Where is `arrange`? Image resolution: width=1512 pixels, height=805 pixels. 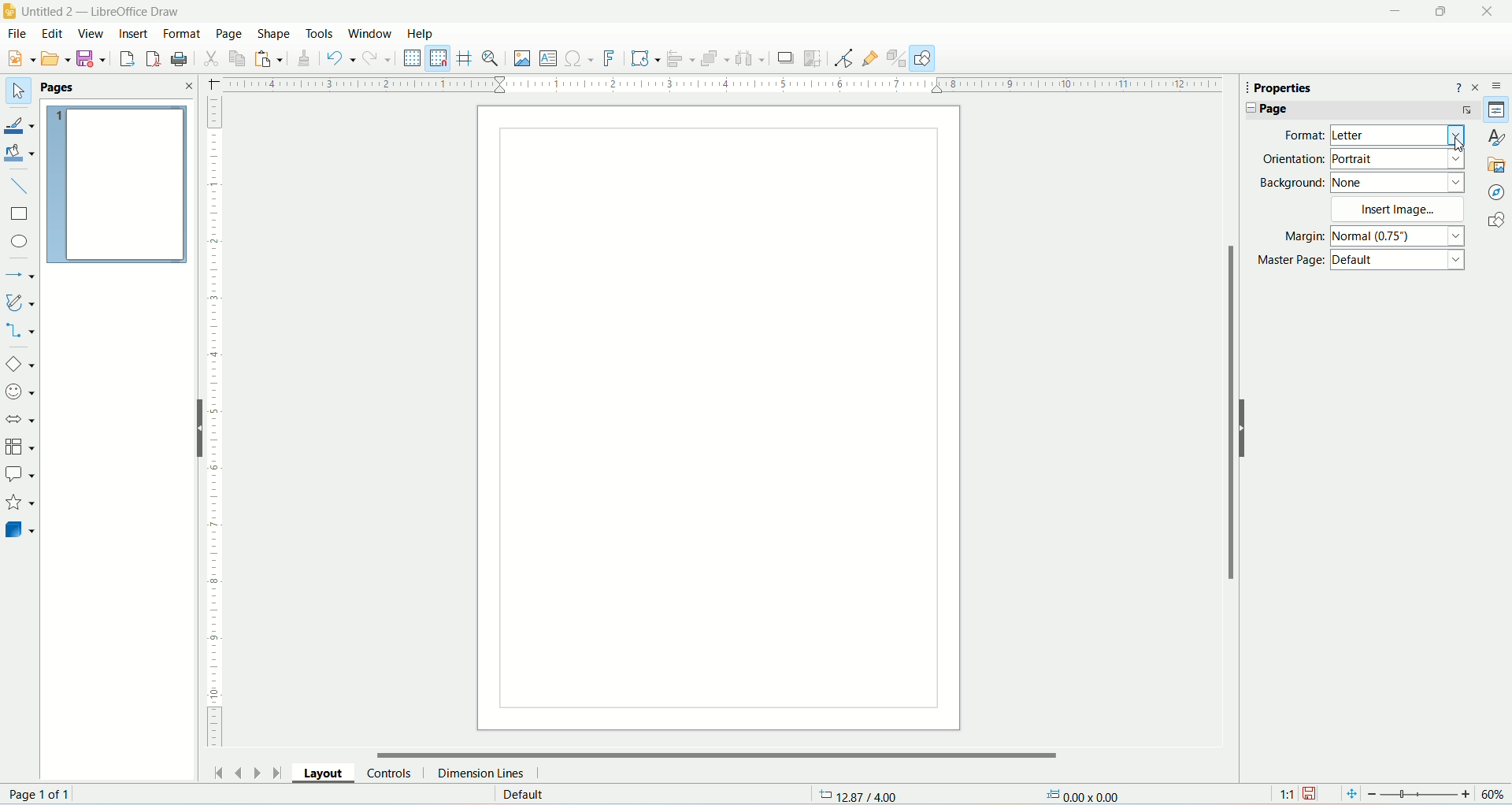 arrange is located at coordinates (715, 60).